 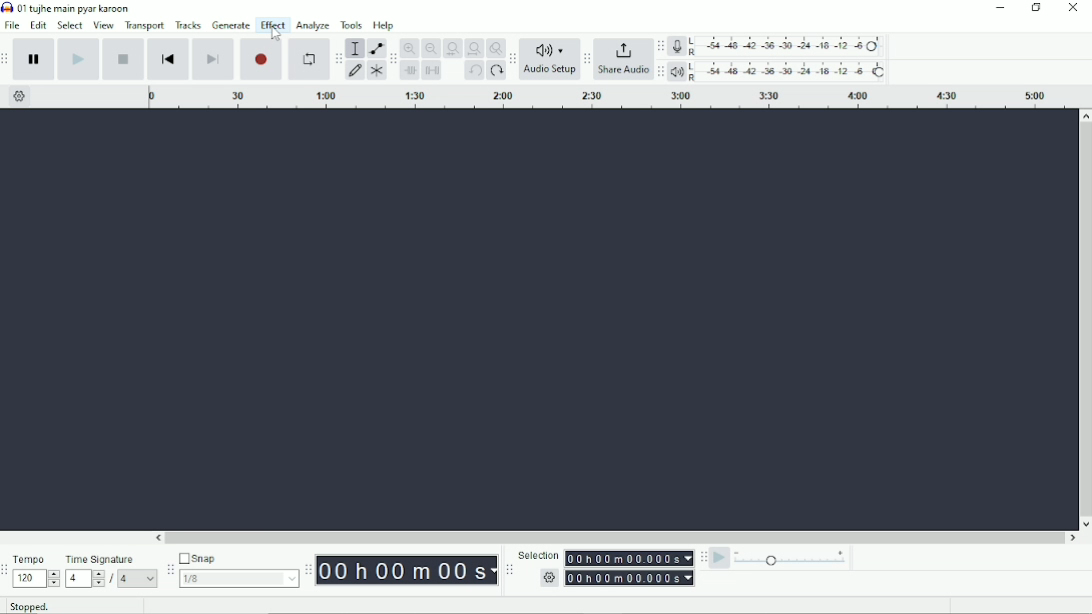 I want to click on Undo, so click(x=475, y=71).